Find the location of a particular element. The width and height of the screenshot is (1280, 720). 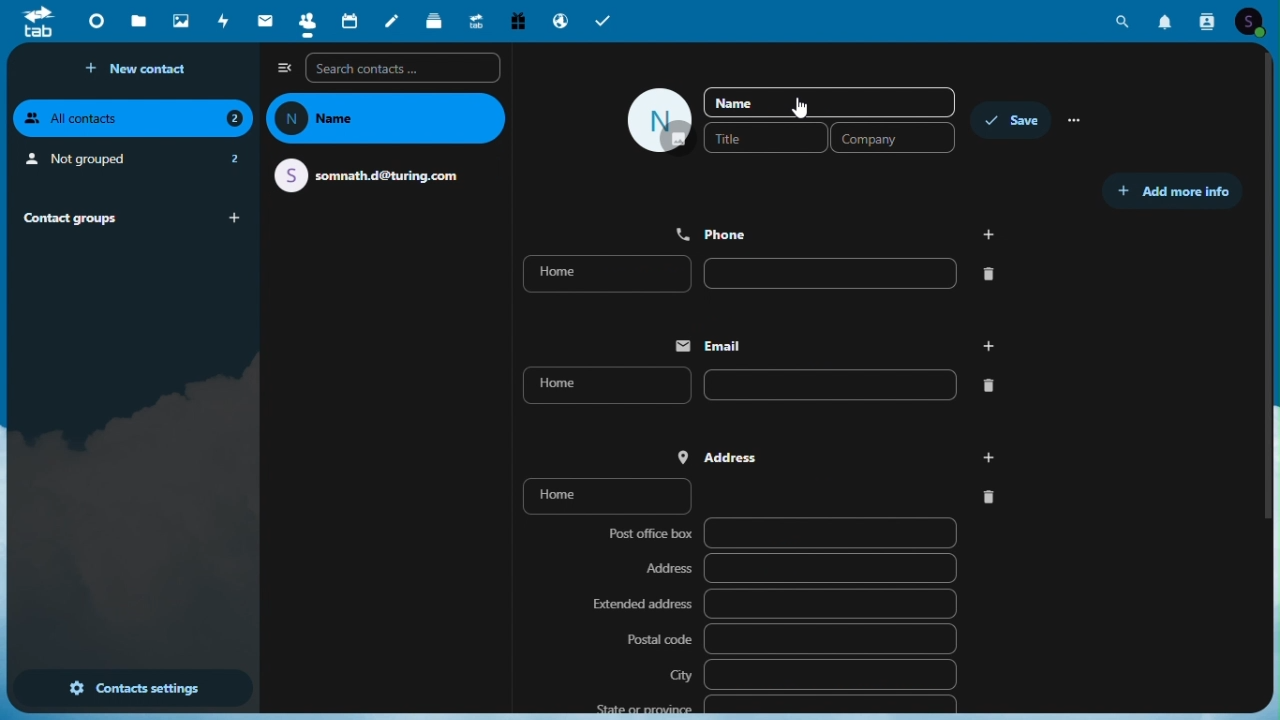

Files is located at coordinates (138, 24).